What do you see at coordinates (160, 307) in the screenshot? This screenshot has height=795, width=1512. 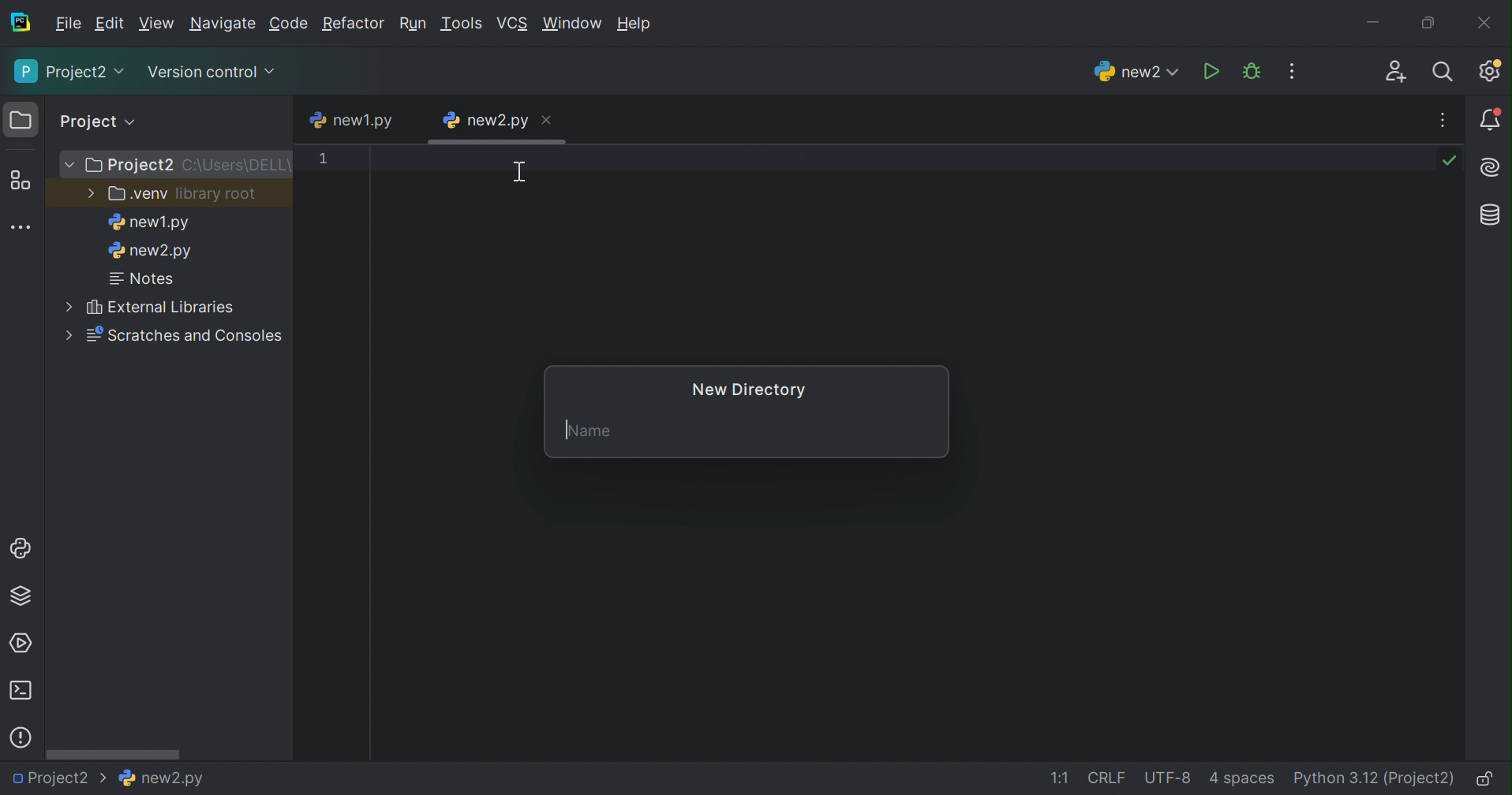 I see `External libraries` at bounding box center [160, 307].